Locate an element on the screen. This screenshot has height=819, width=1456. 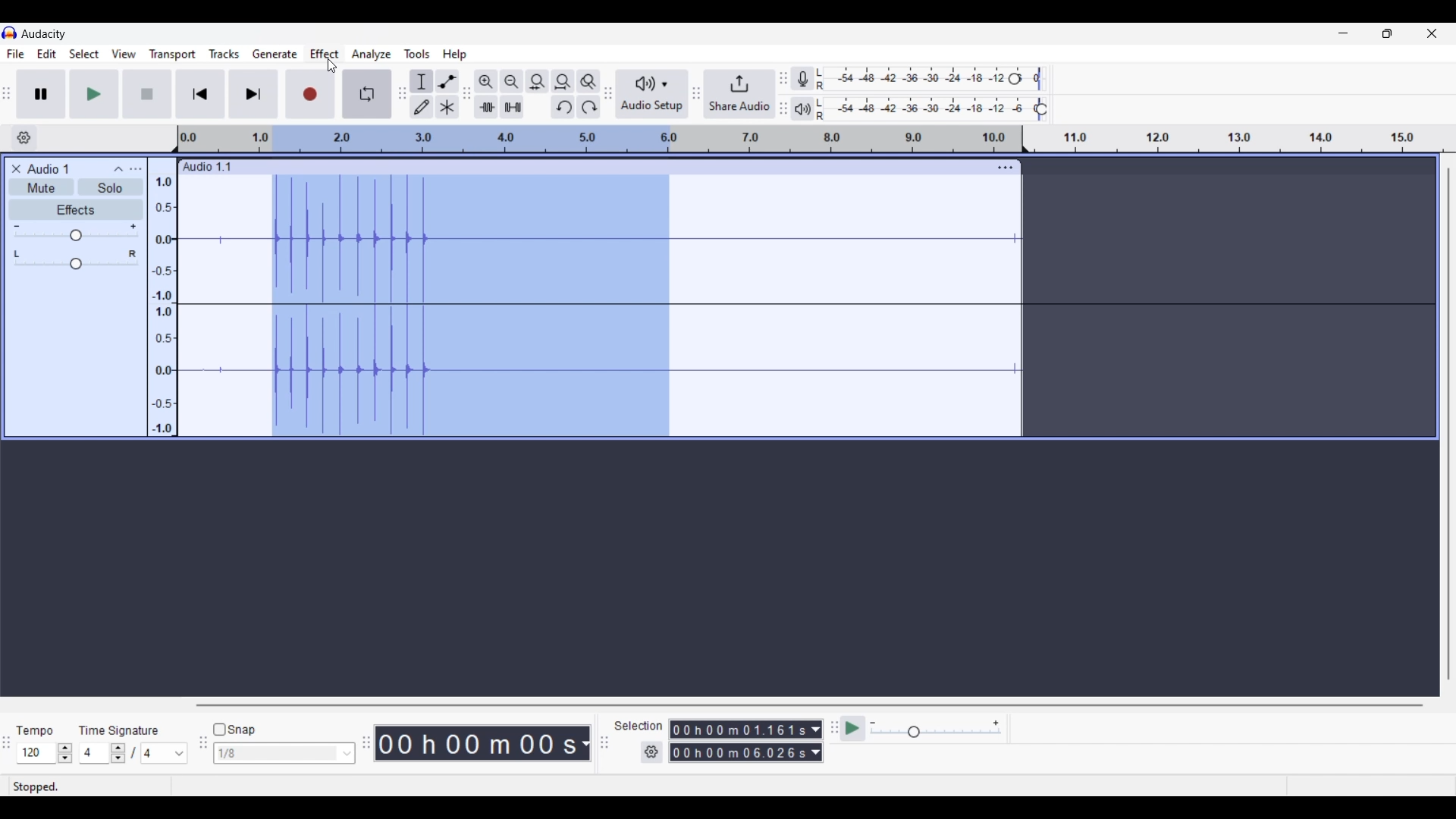
Analyze menu is located at coordinates (372, 55).